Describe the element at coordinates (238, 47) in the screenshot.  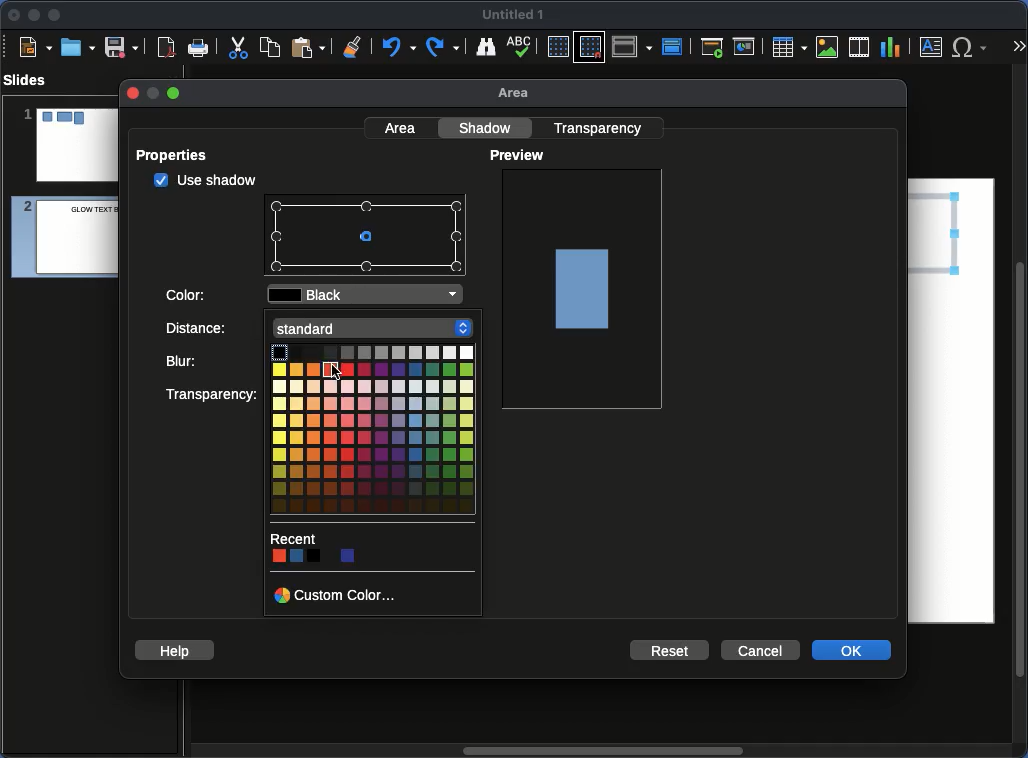
I see `Cut` at that location.